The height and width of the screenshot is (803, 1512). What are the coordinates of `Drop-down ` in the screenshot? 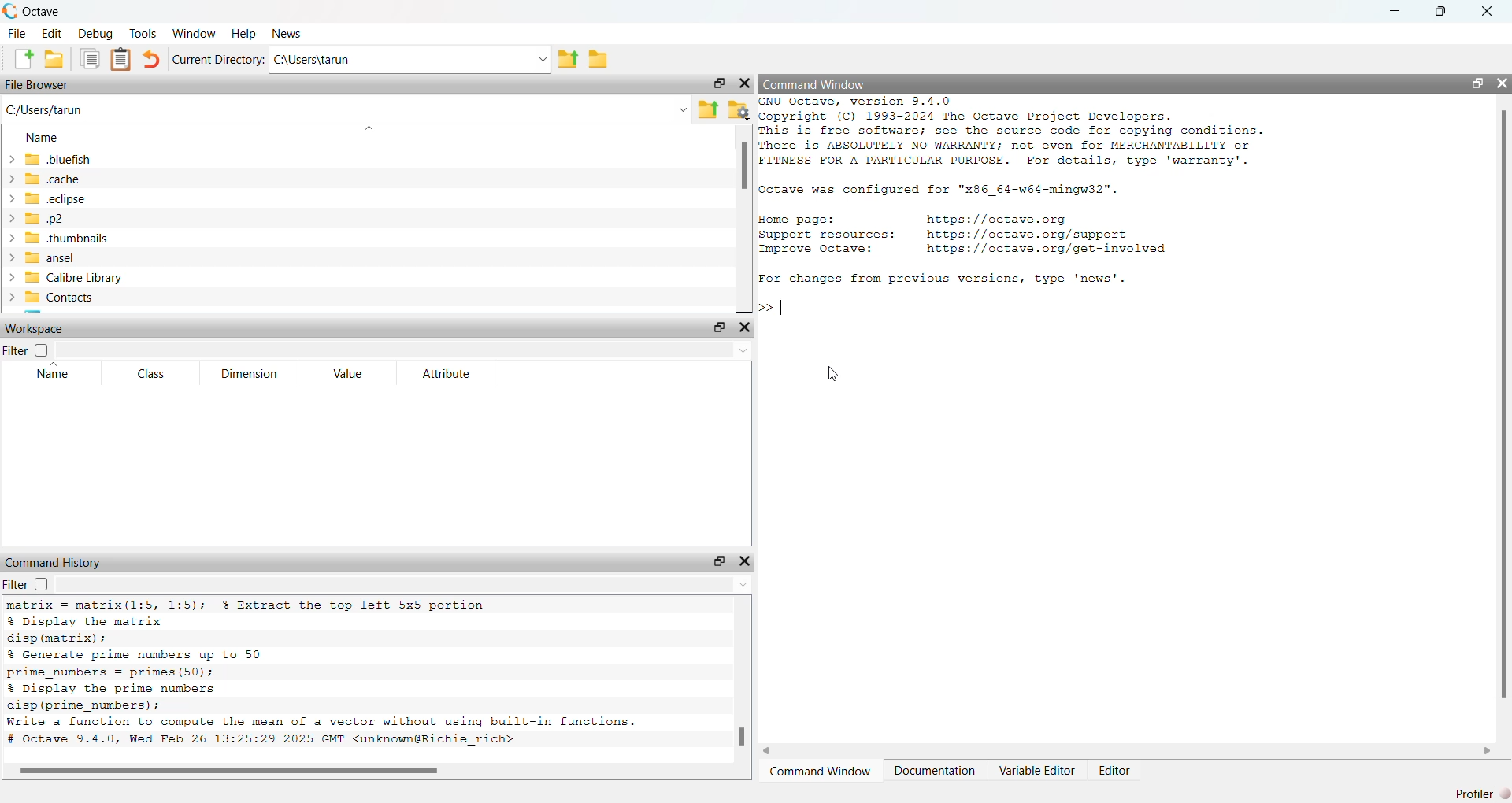 It's located at (545, 60).